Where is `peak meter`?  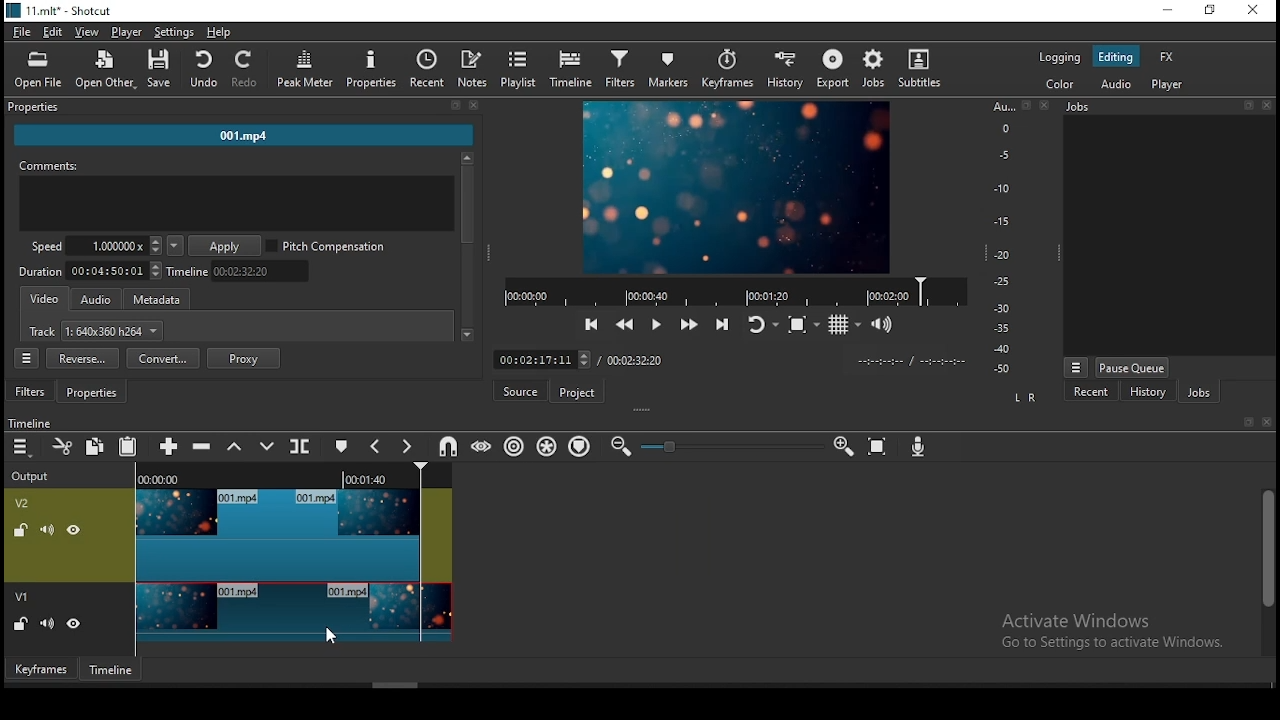
peak meter is located at coordinates (306, 68).